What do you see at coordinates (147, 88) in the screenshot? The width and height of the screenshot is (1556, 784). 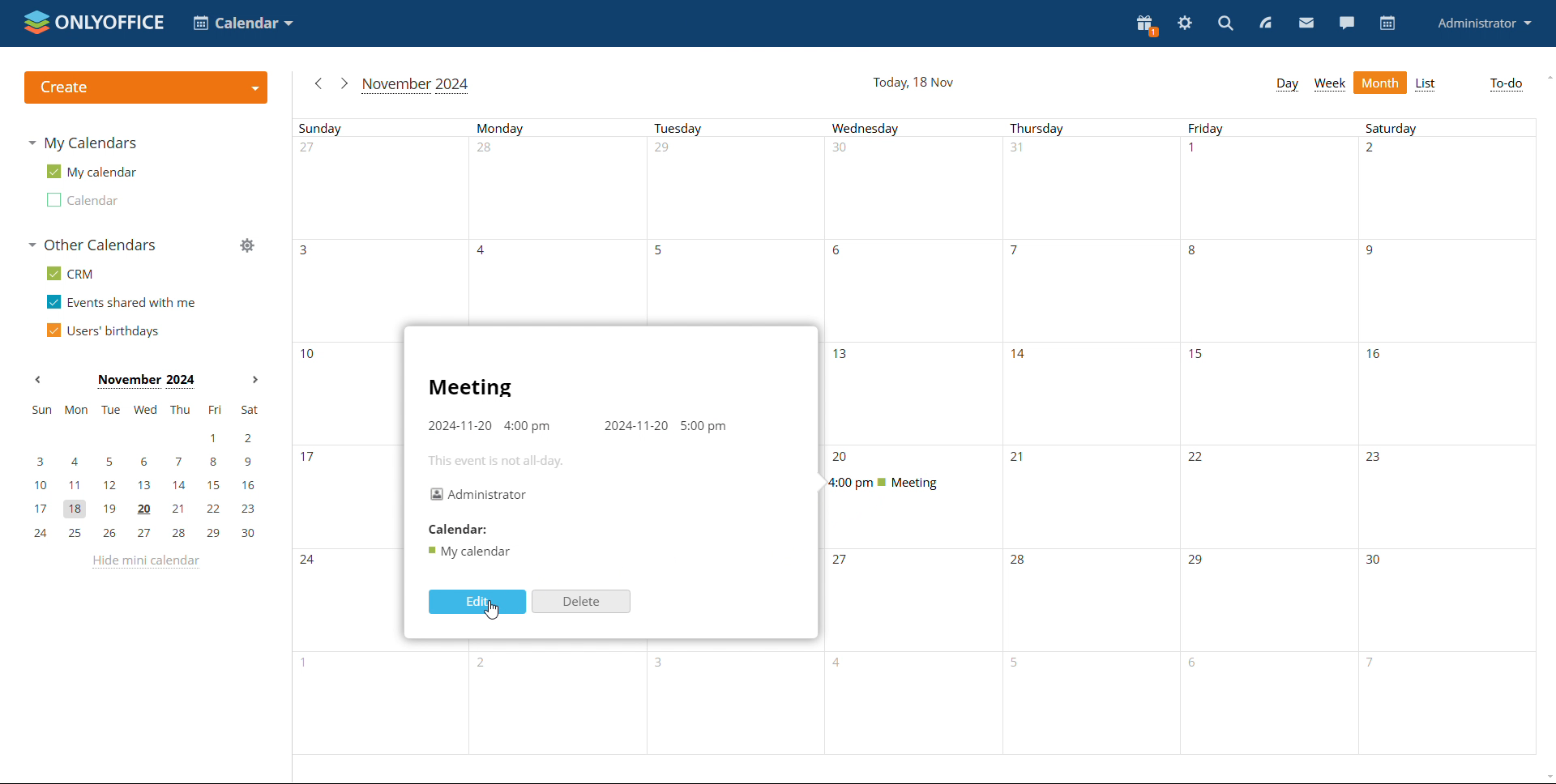 I see `create` at bounding box center [147, 88].